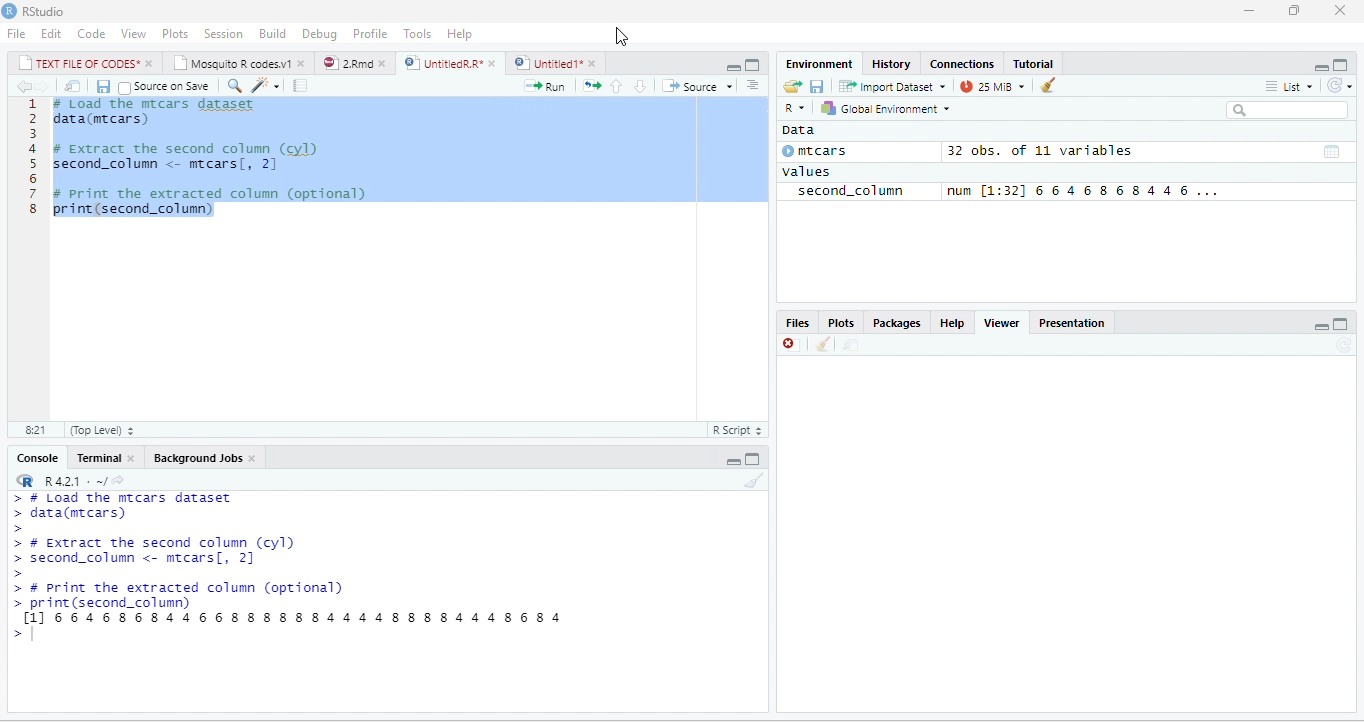 The width and height of the screenshot is (1364, 722). What do you see at coordinates (1039, 152) in the screenshot?
I see `32 obs. of 11 variables` at bounding box center [1039, 152].